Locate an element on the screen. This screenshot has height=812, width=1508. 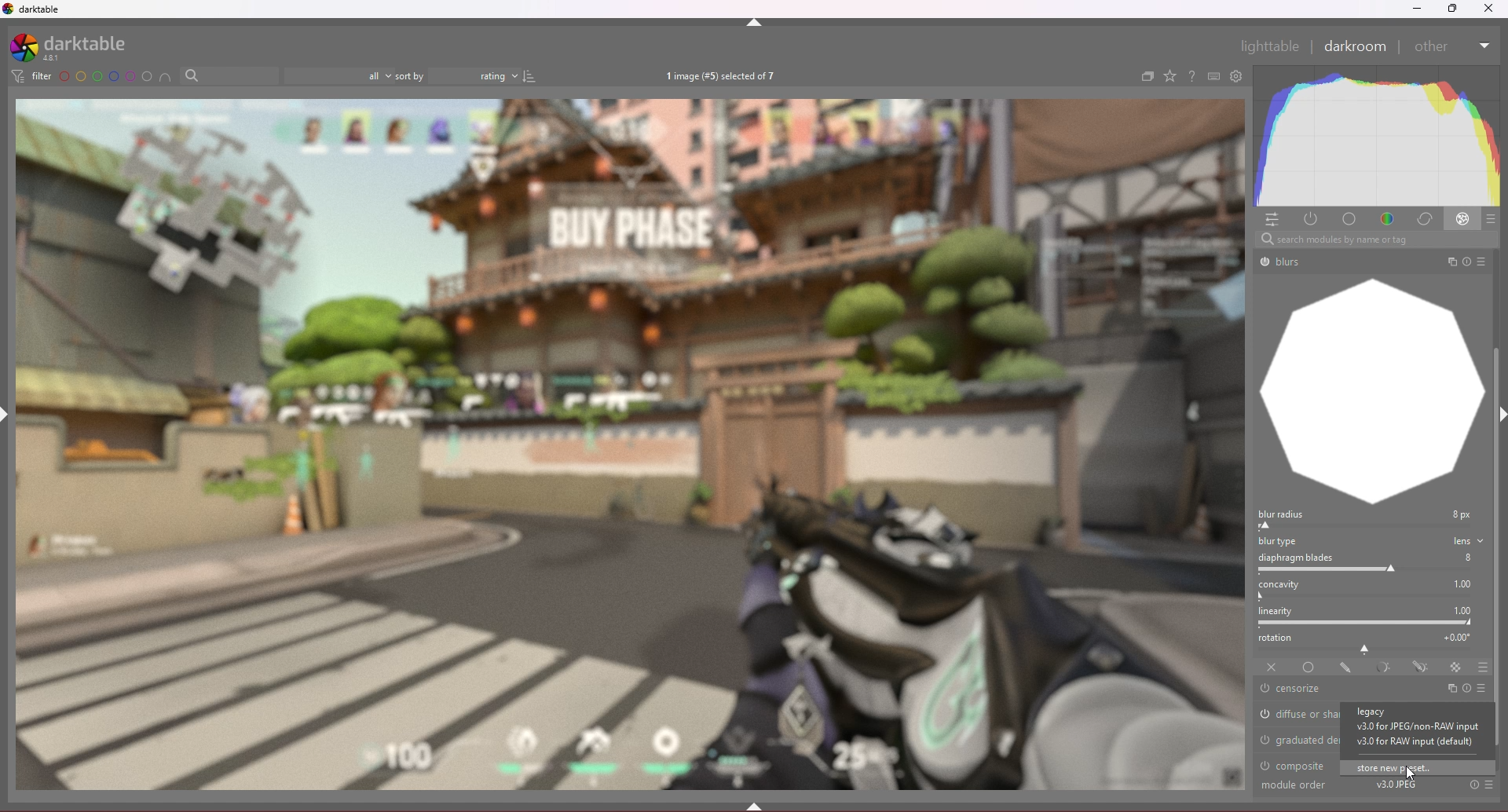
 is located at coordinates (1490, 786).